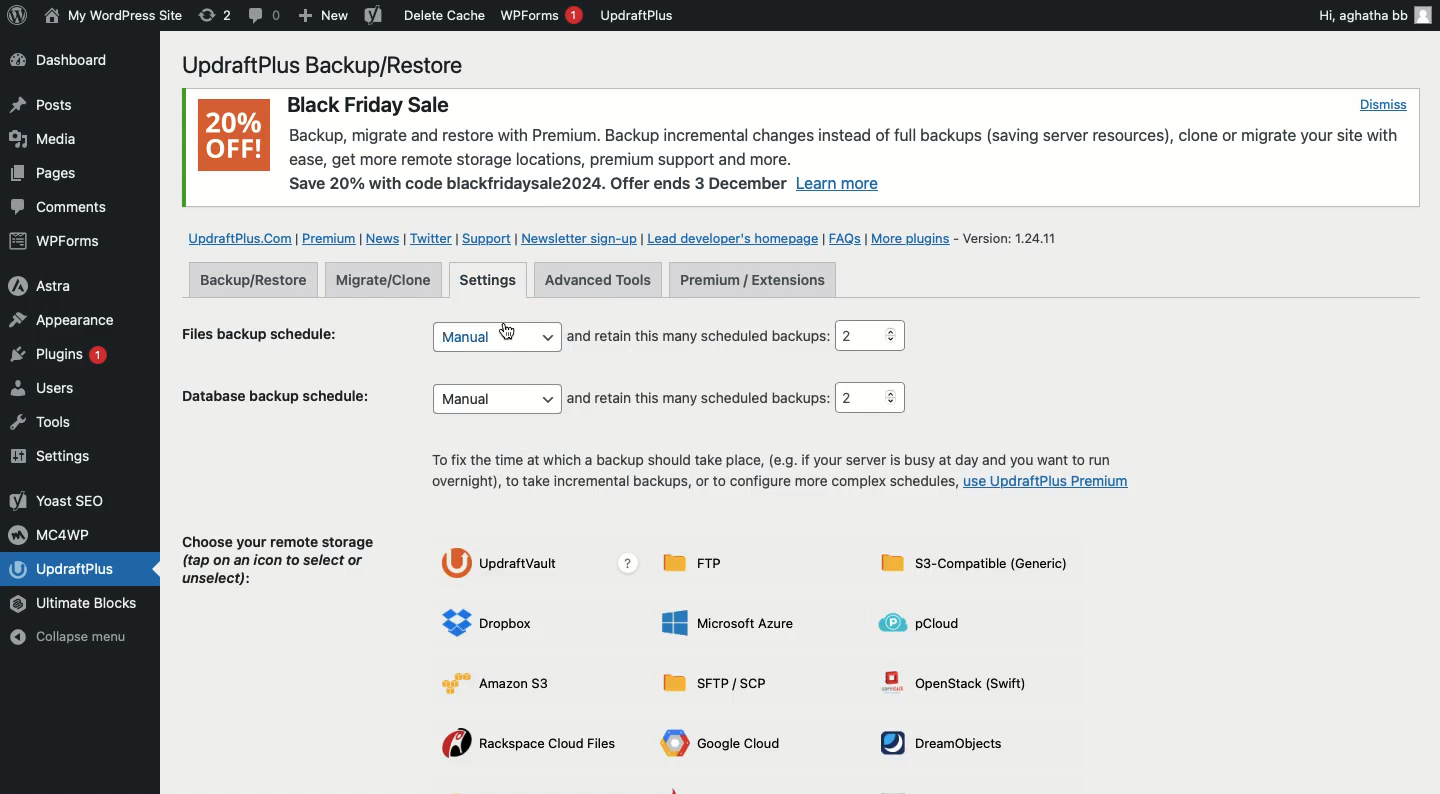  I want to click on Yoast, so click(372, 17).